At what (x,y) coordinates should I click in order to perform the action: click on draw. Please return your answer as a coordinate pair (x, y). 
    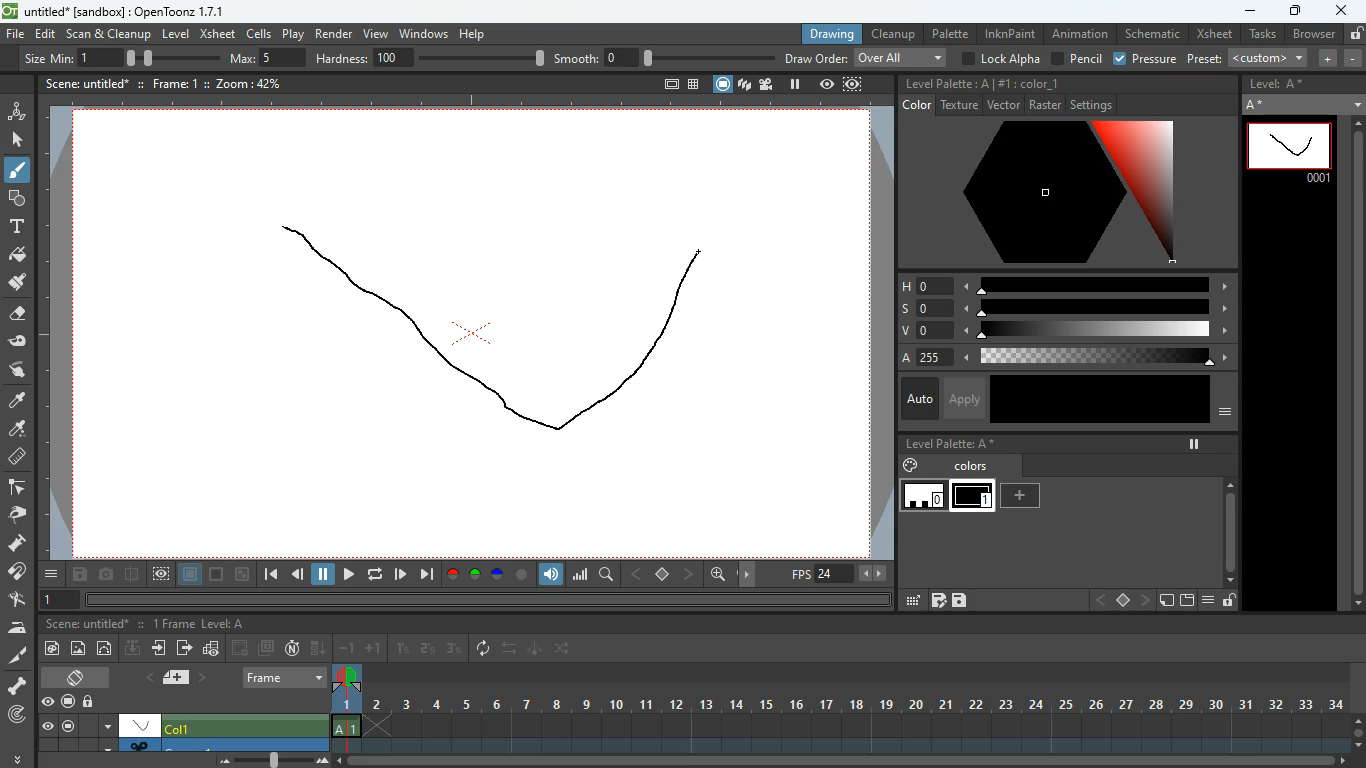
    Looking at the image, I should click on (499, 329).